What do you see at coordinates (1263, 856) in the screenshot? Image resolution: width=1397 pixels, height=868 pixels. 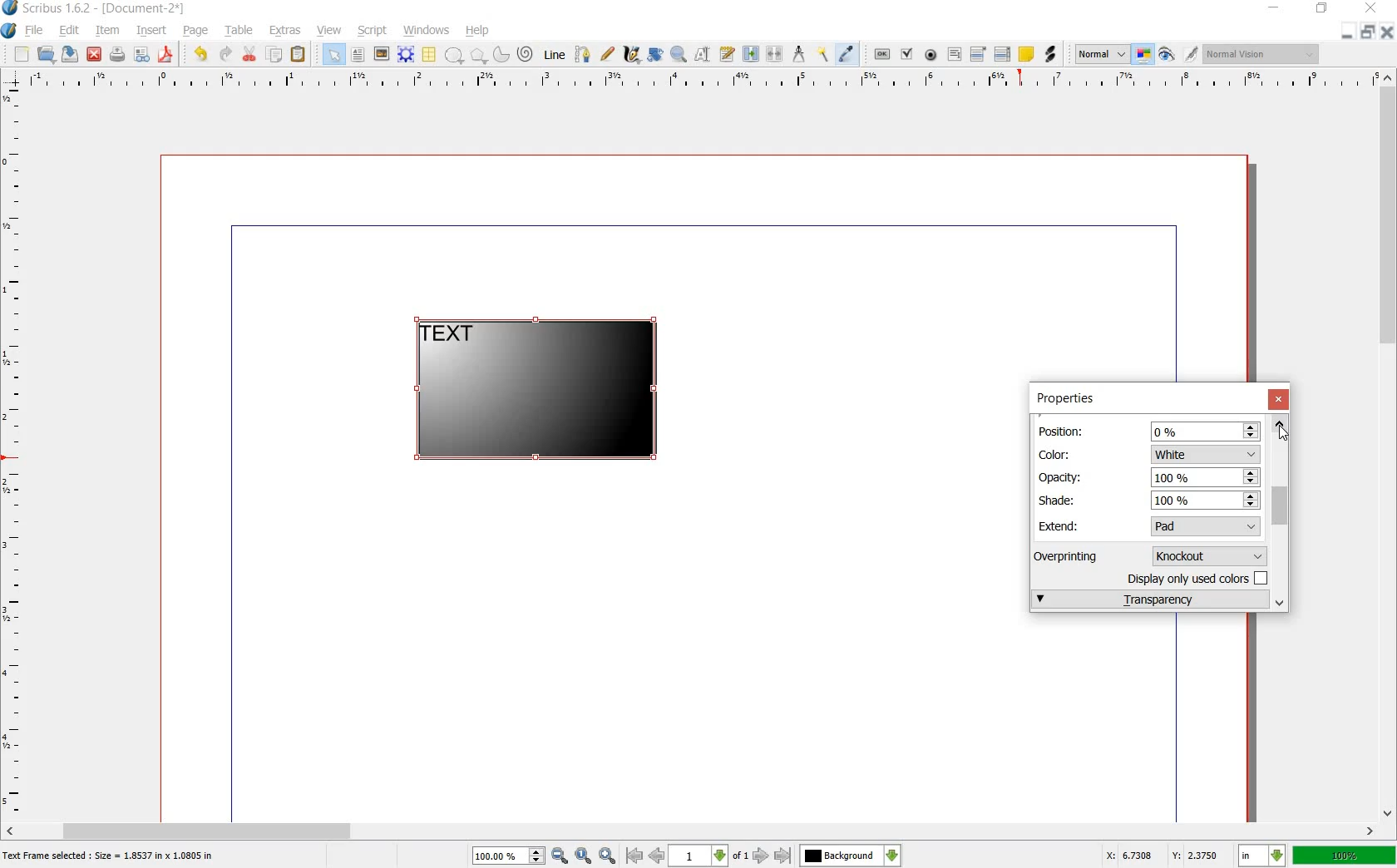 I see `in` at bounding box center [1263, 856].